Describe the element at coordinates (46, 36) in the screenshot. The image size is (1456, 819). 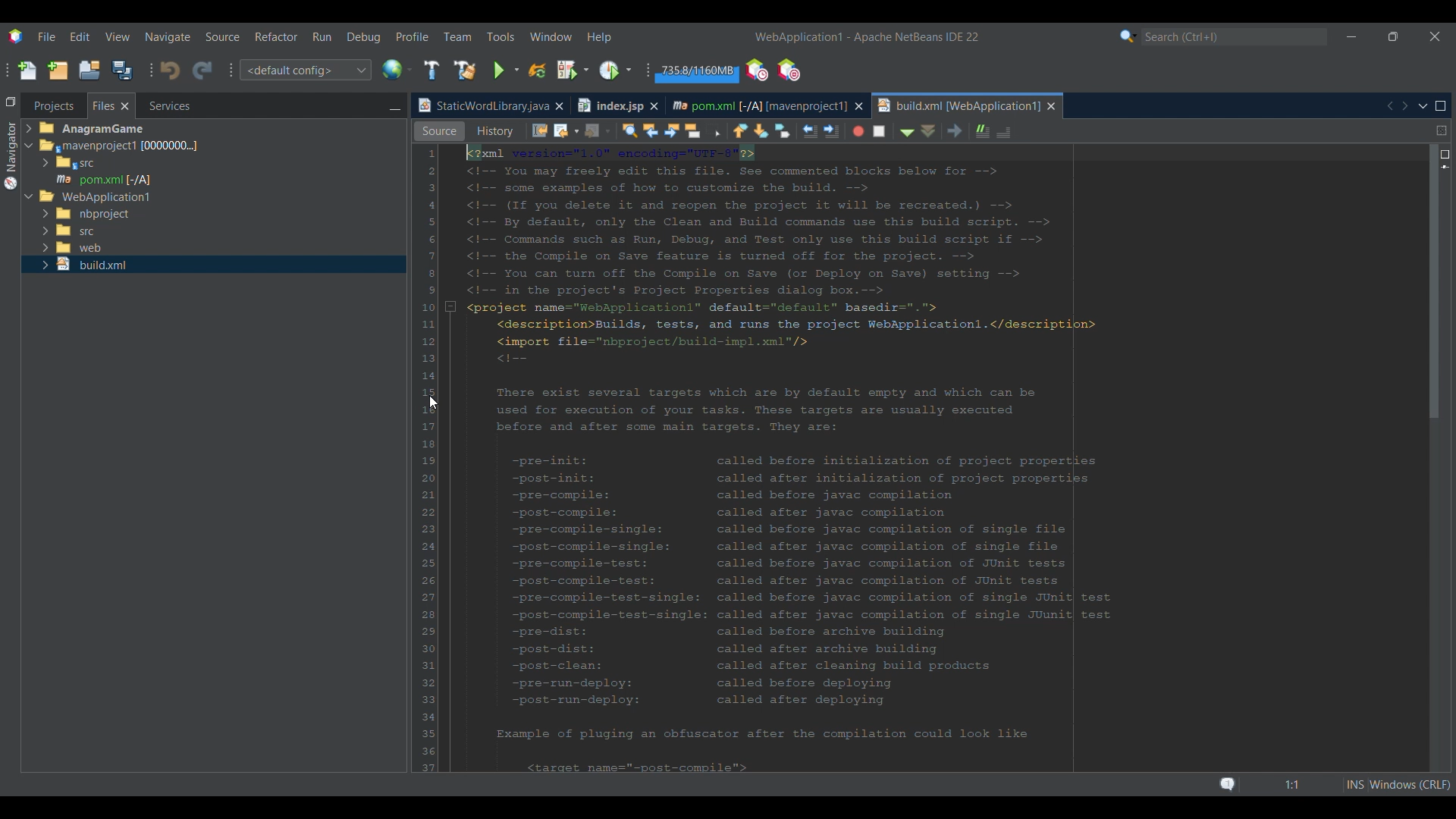
I see `File menu` at that location.